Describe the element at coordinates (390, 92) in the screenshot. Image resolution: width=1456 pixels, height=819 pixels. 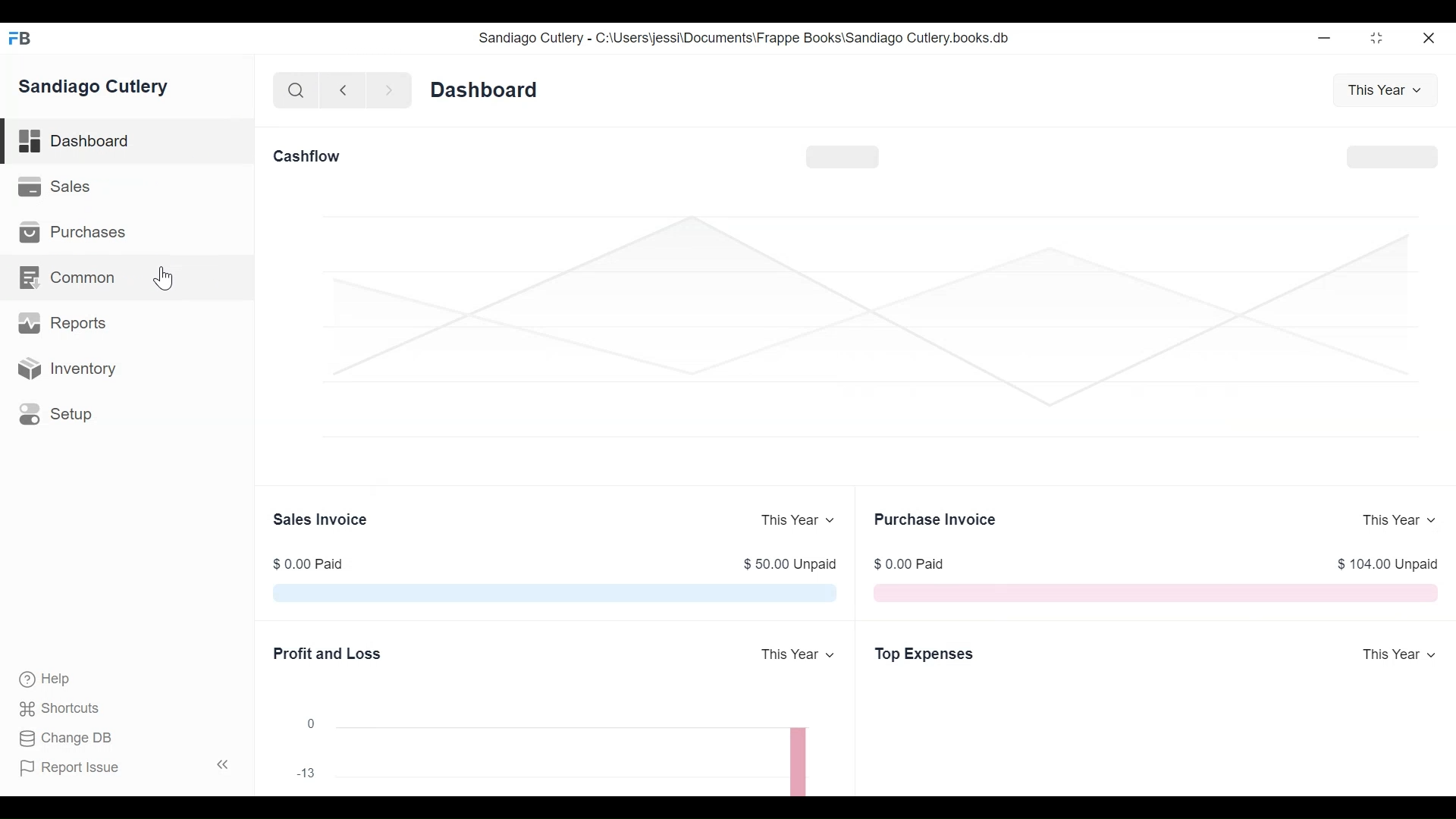
I see `Navigate Forward` at that location.